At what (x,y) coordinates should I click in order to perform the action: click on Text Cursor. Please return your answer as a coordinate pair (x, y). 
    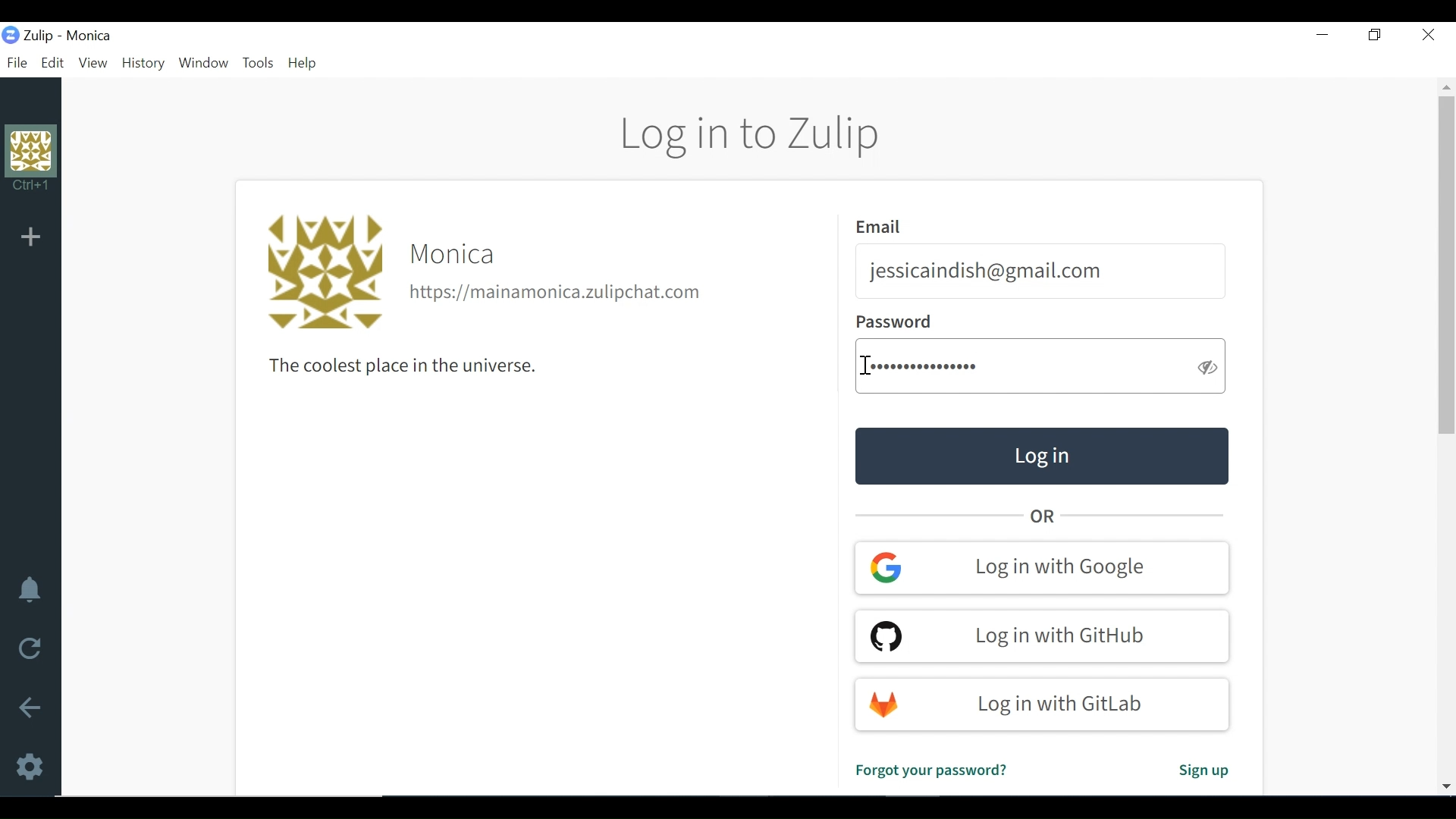
    Looking at the image, I should click on (869, 365).